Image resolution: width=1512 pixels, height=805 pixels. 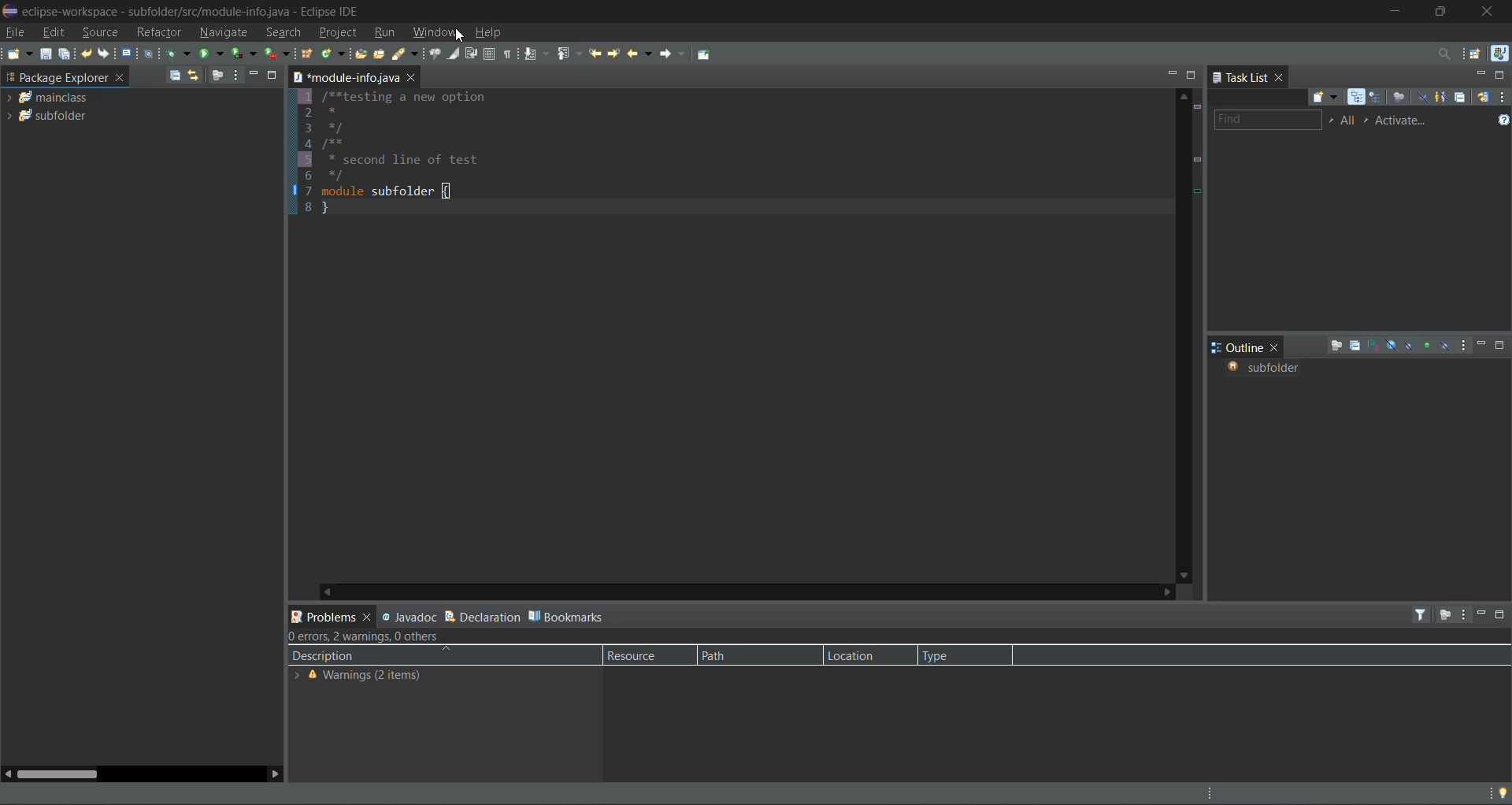 What do you see at coordinates (343, 77) in the screenshot?
I see `folder location` at bounding box center [343, 77].